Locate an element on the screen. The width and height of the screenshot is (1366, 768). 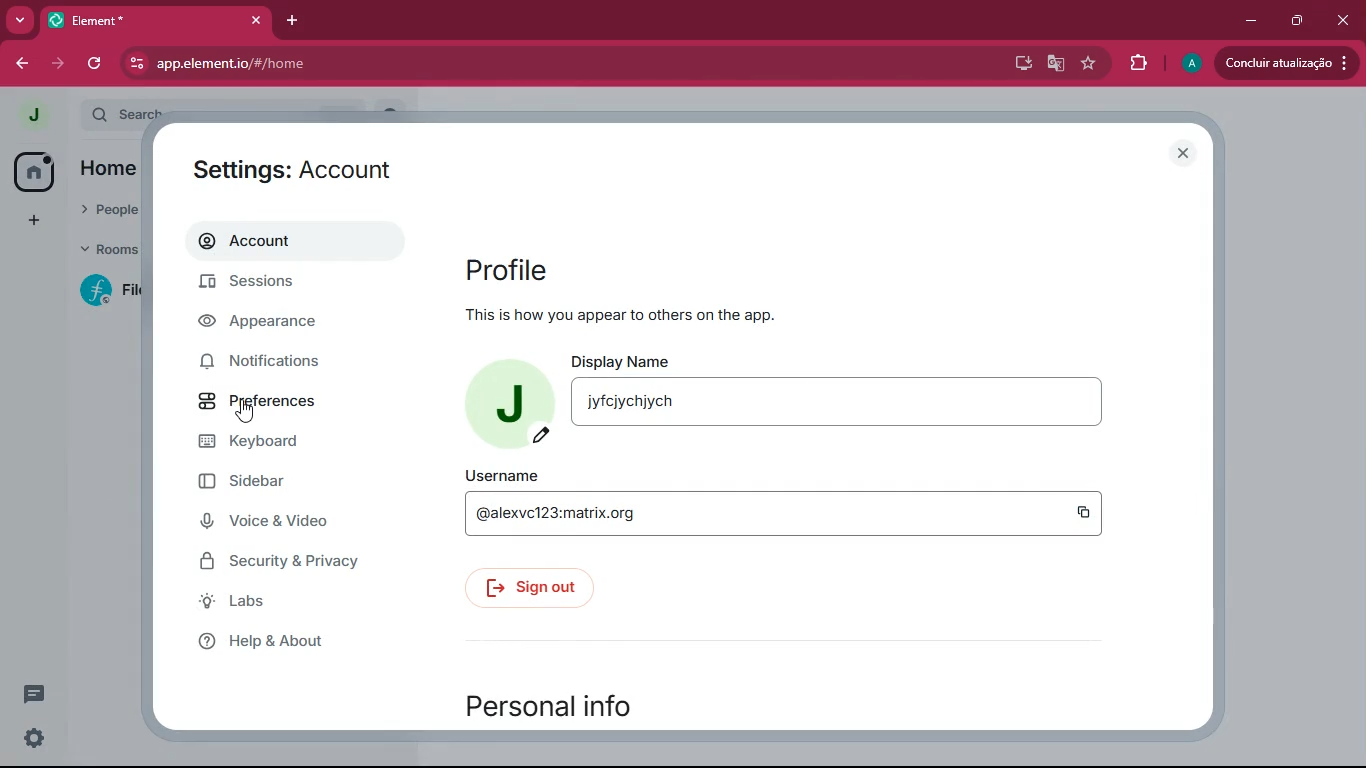
close is located at coordinates (1185, 154).